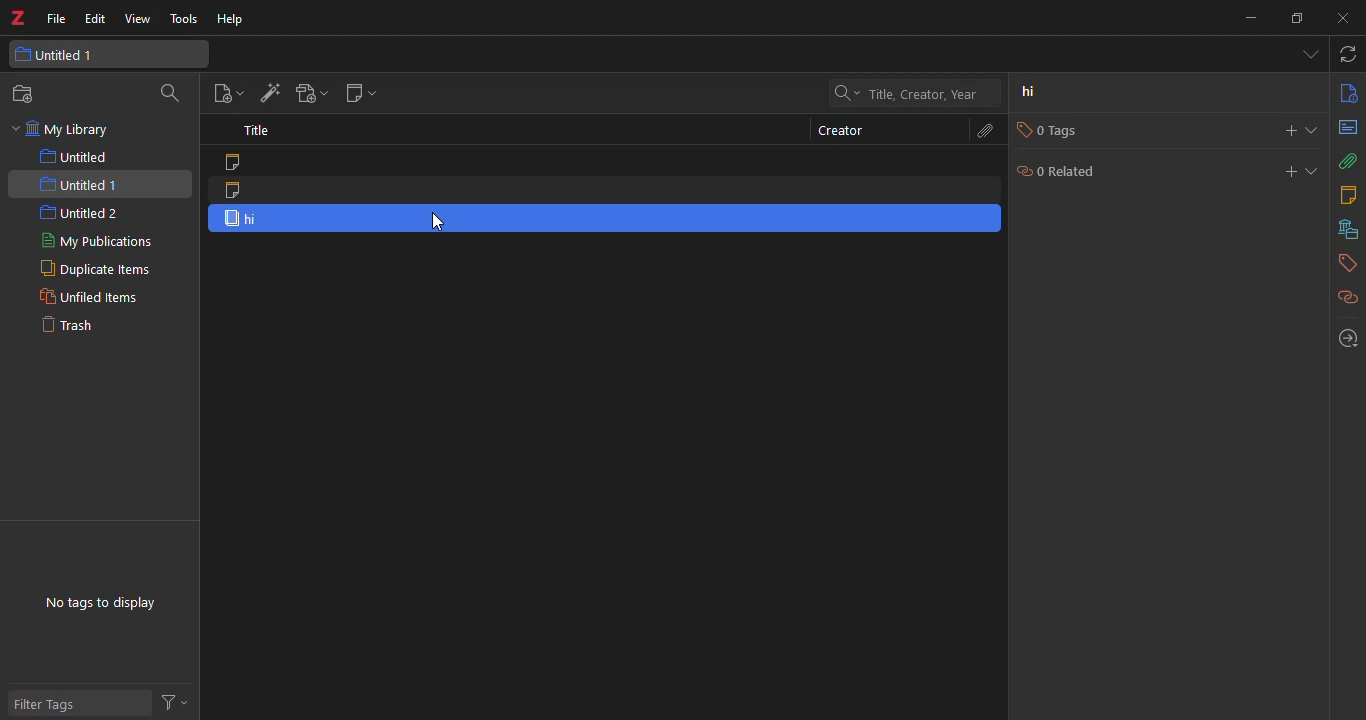  What do you see at coordinates (1343, 337) in the screenshot?
I see `locate` at bounding box center [1343, 337].